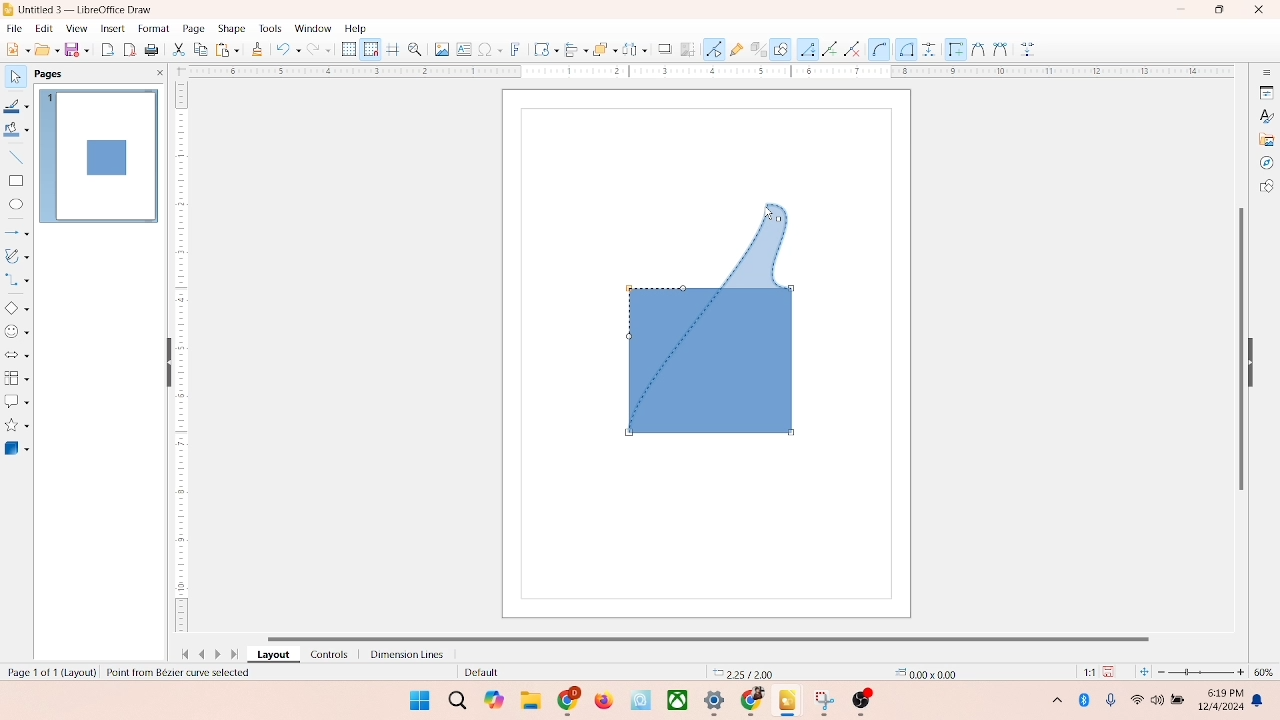  I want to click on curves and polygons, so click(18, 254).